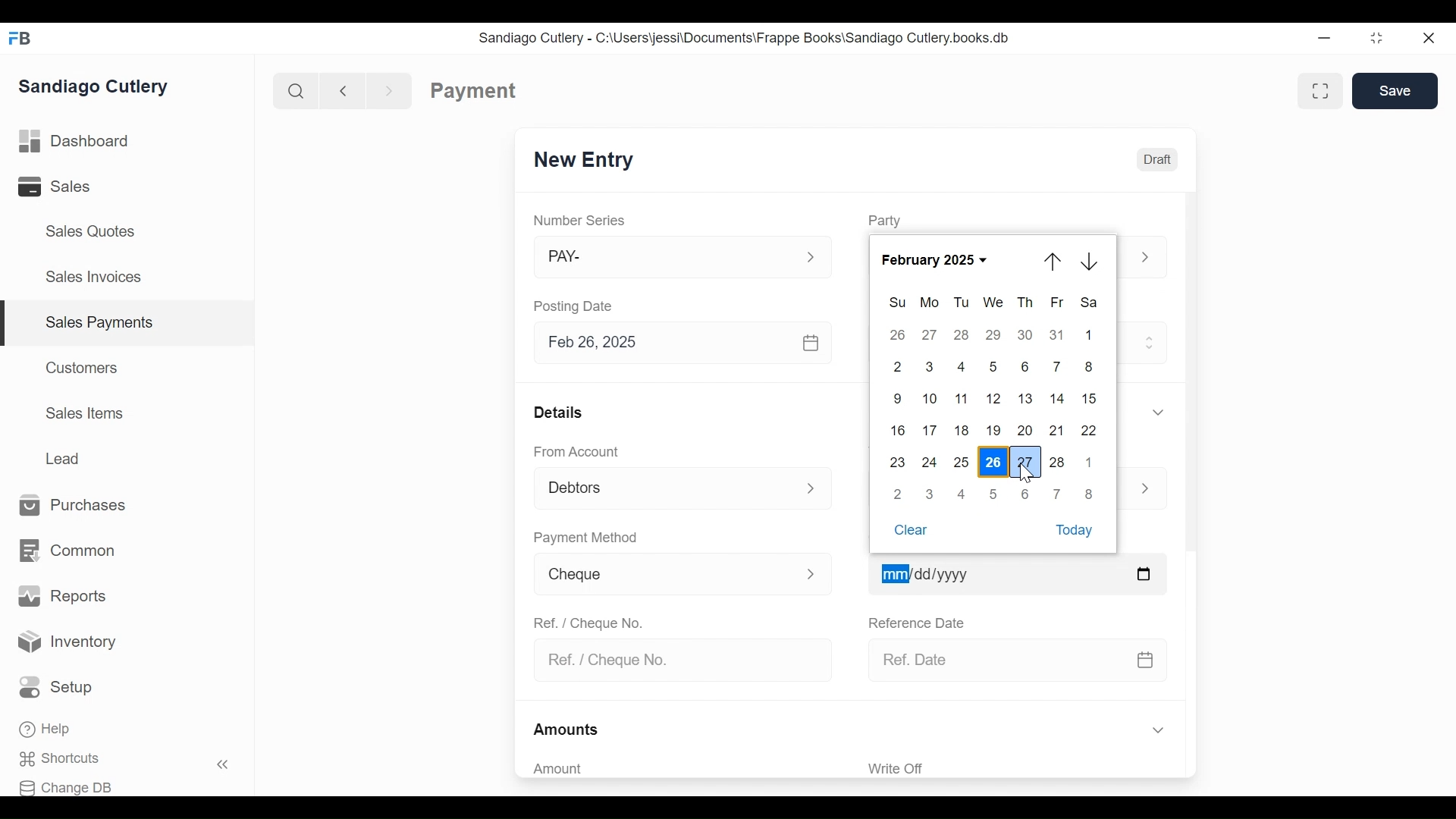 The width and height of the screenshot is (1456, 819). What do you see at coordinates (1151, 340) in the screenshot?
I see `Expand` at bounding box center [1151, 340].